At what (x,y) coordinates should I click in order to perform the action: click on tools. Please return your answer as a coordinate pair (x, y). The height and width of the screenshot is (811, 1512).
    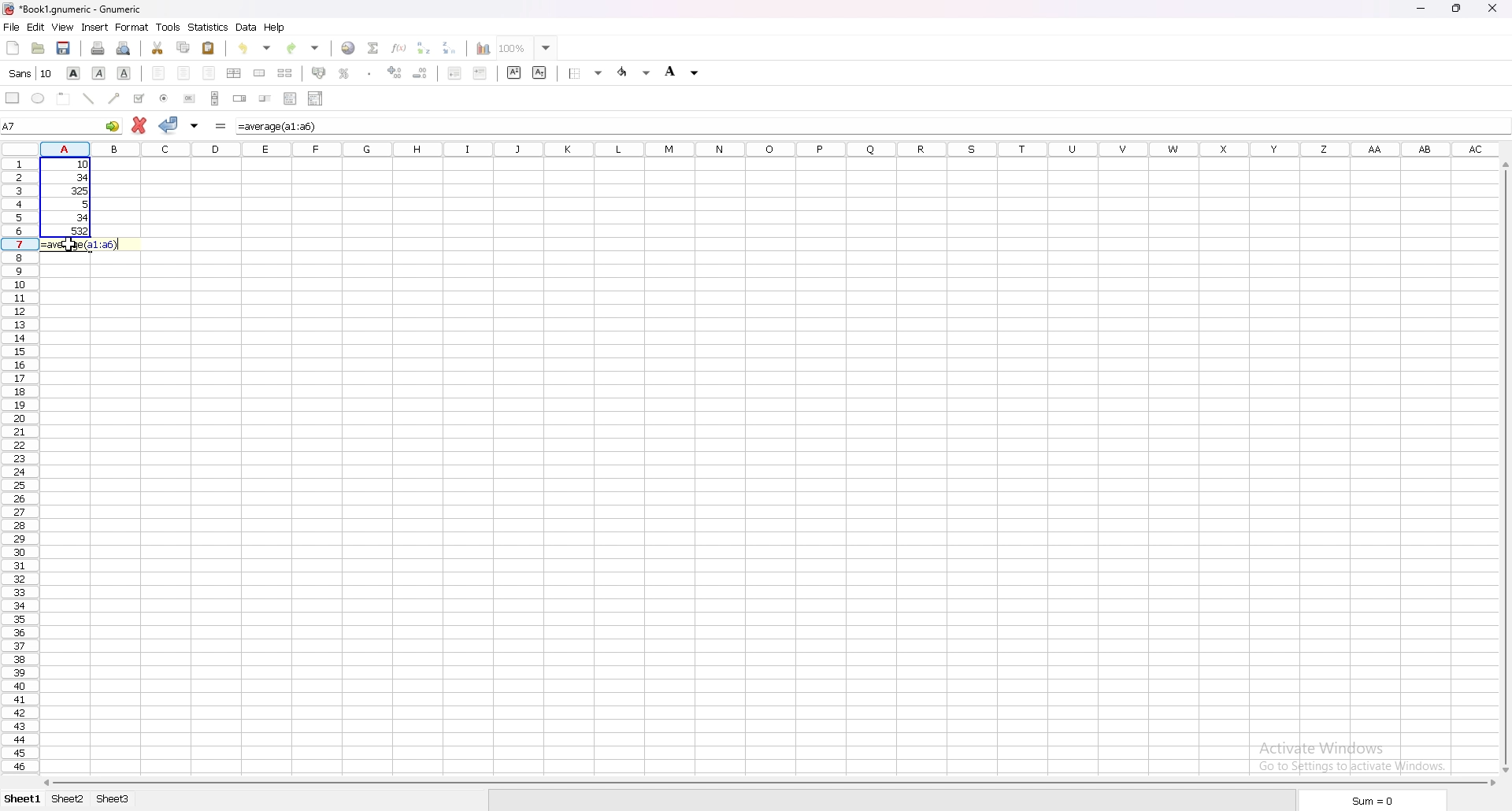
    Looking at the image, I should click on (169, 28).